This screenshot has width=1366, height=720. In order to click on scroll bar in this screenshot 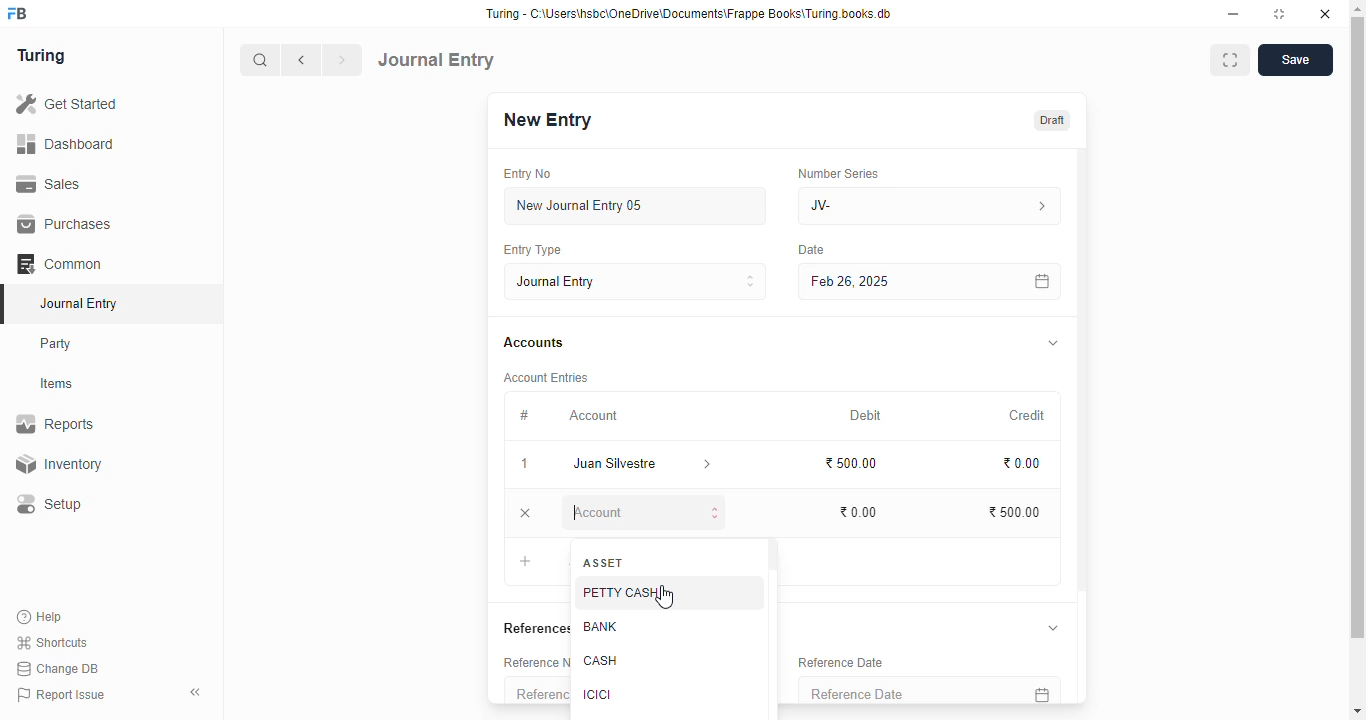, I will do `click(1359, 358)`.